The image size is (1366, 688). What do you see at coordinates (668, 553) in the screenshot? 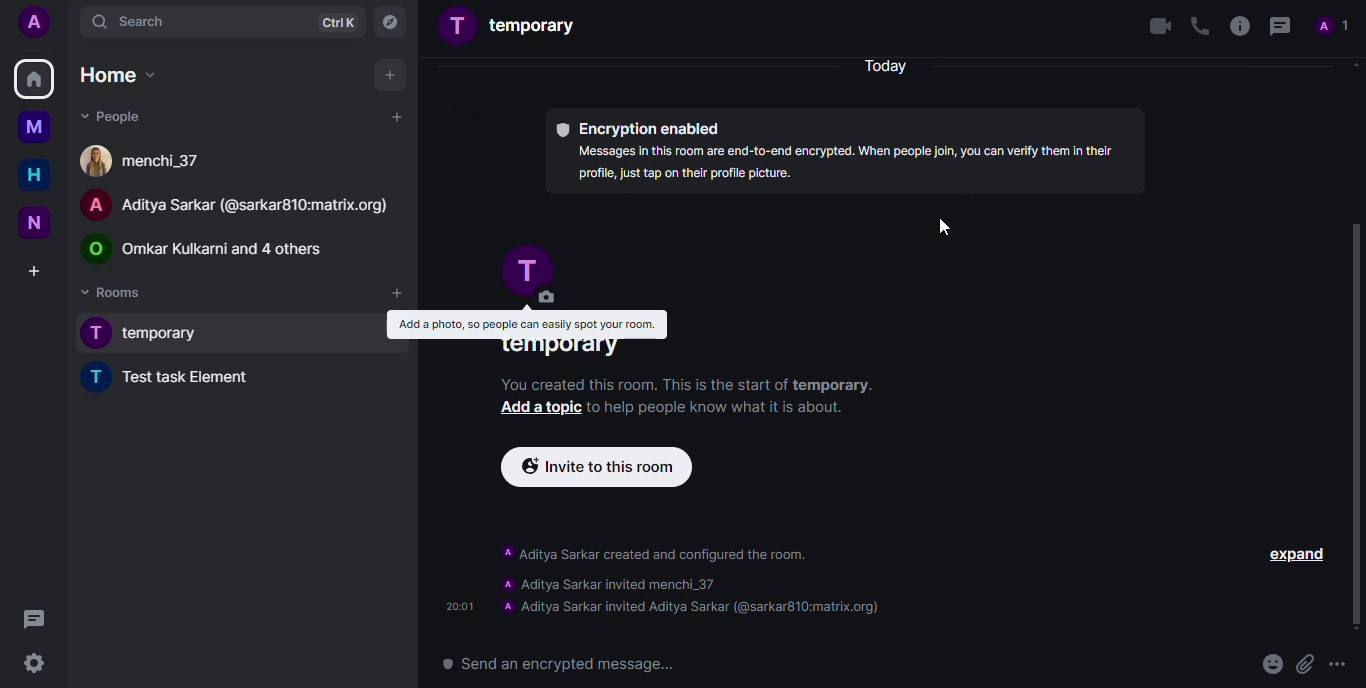
I see `escription` at bounding box center [668, 553].